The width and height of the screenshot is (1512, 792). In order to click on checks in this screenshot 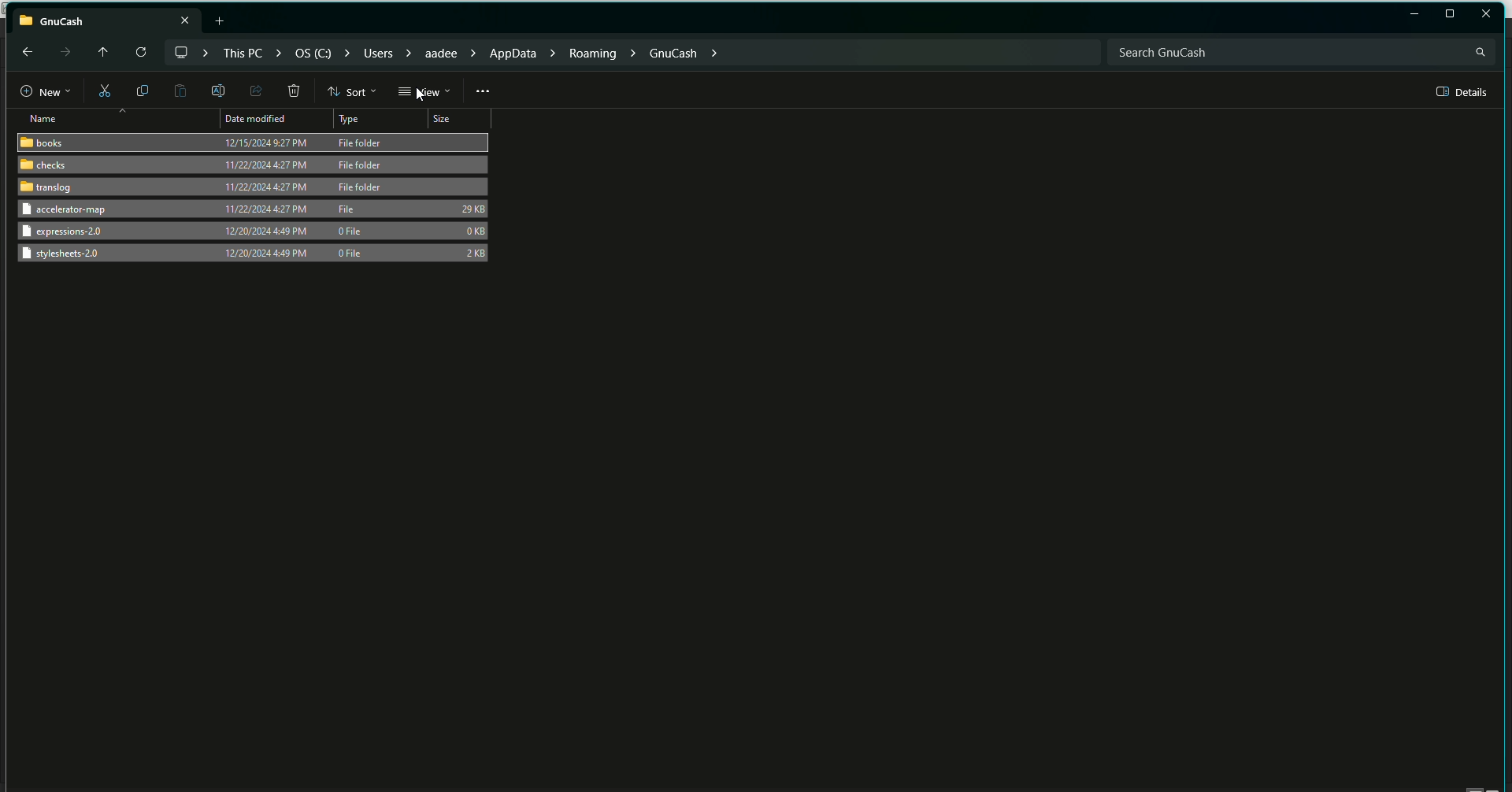, I will do `click(43, 166)`.